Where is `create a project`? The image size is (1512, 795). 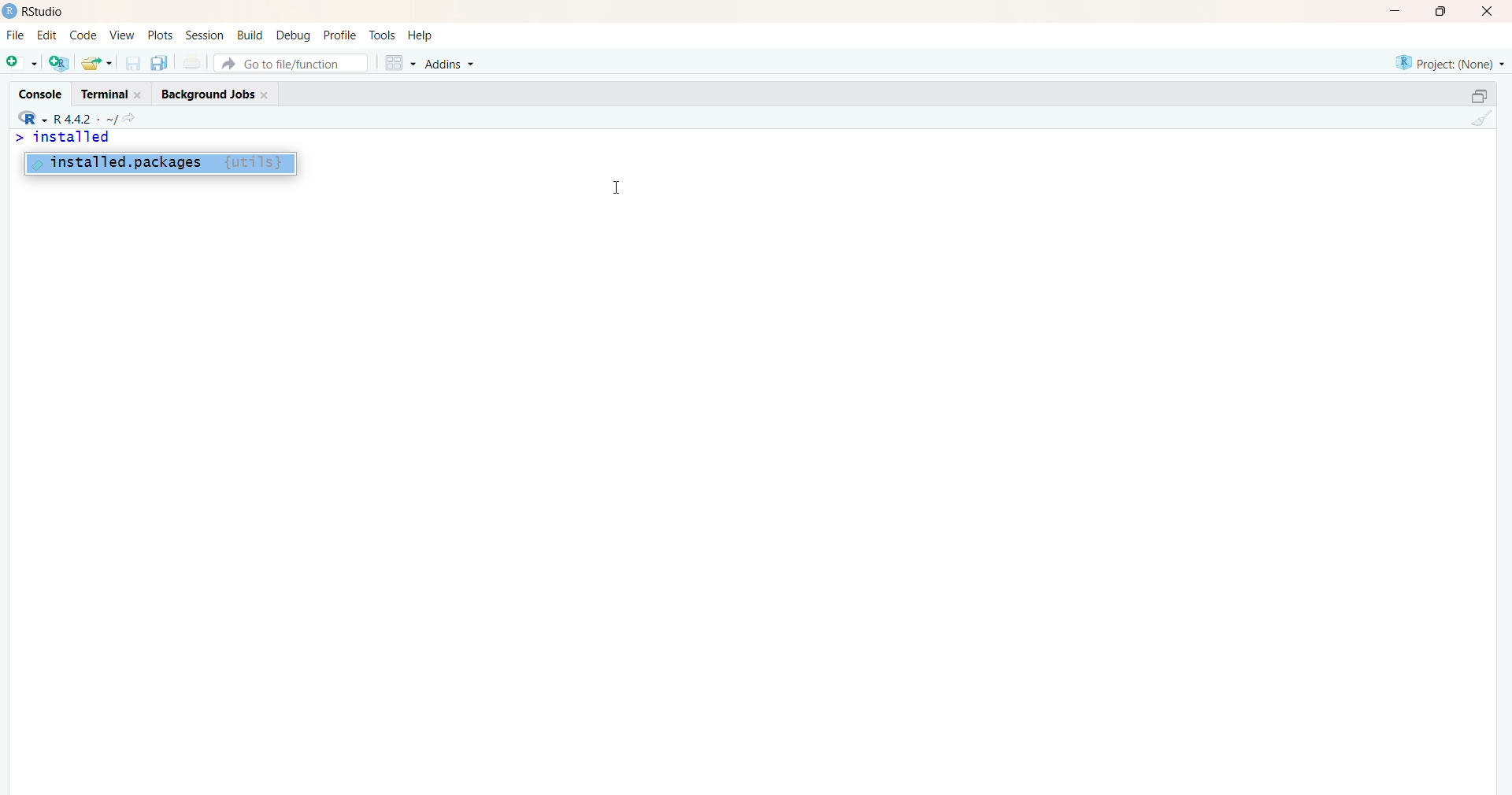
create a project is located at coordinates (58, 63).